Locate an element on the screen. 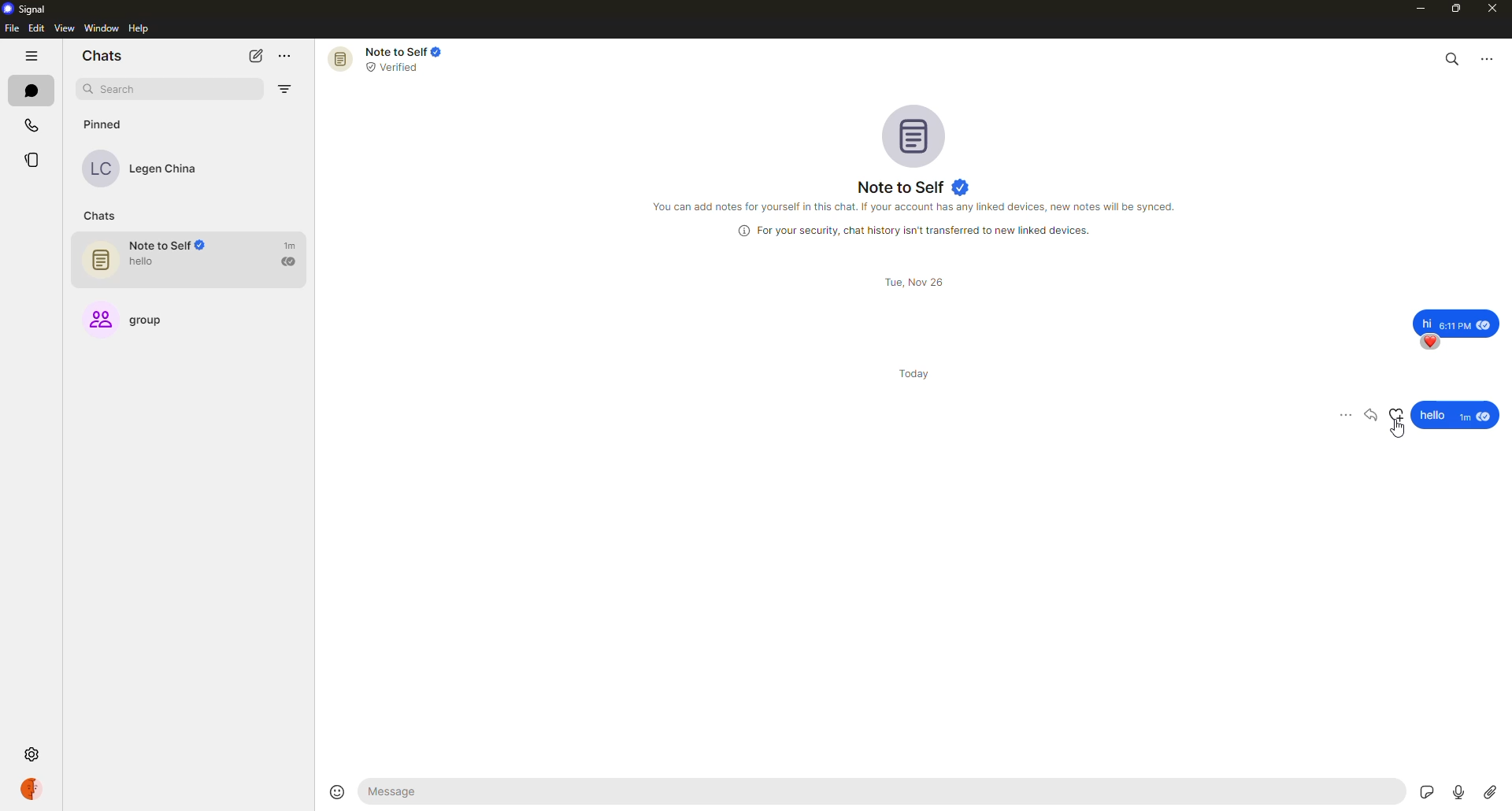 This screenshot has width=1512, height=811. search is located at coordinates (1453, 56).